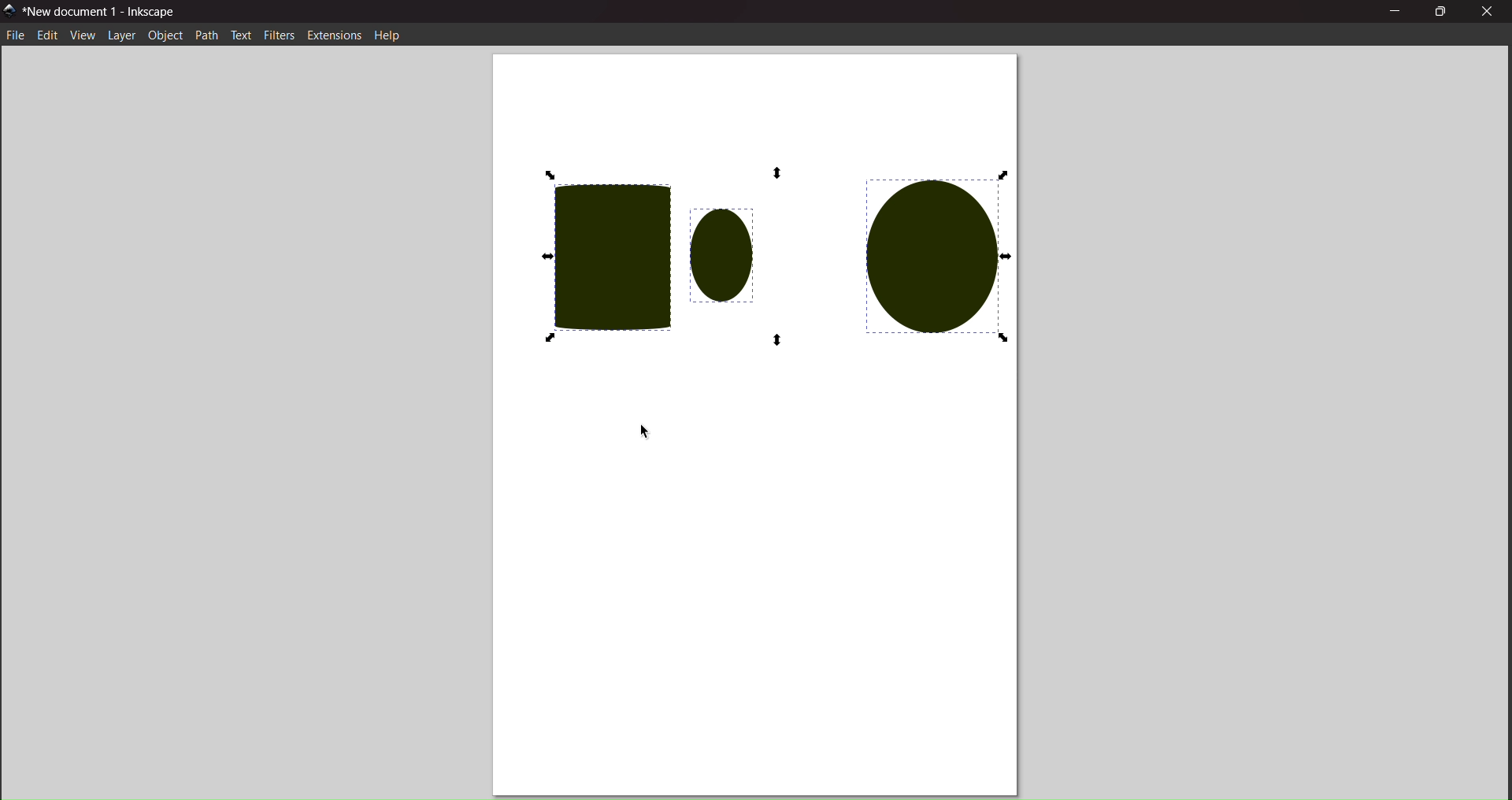 This screenshot has width=1512, height=800. What do you see at coordinates (334, 35) in the screenshot?
I see `extension` at bounding box center [334, 35].